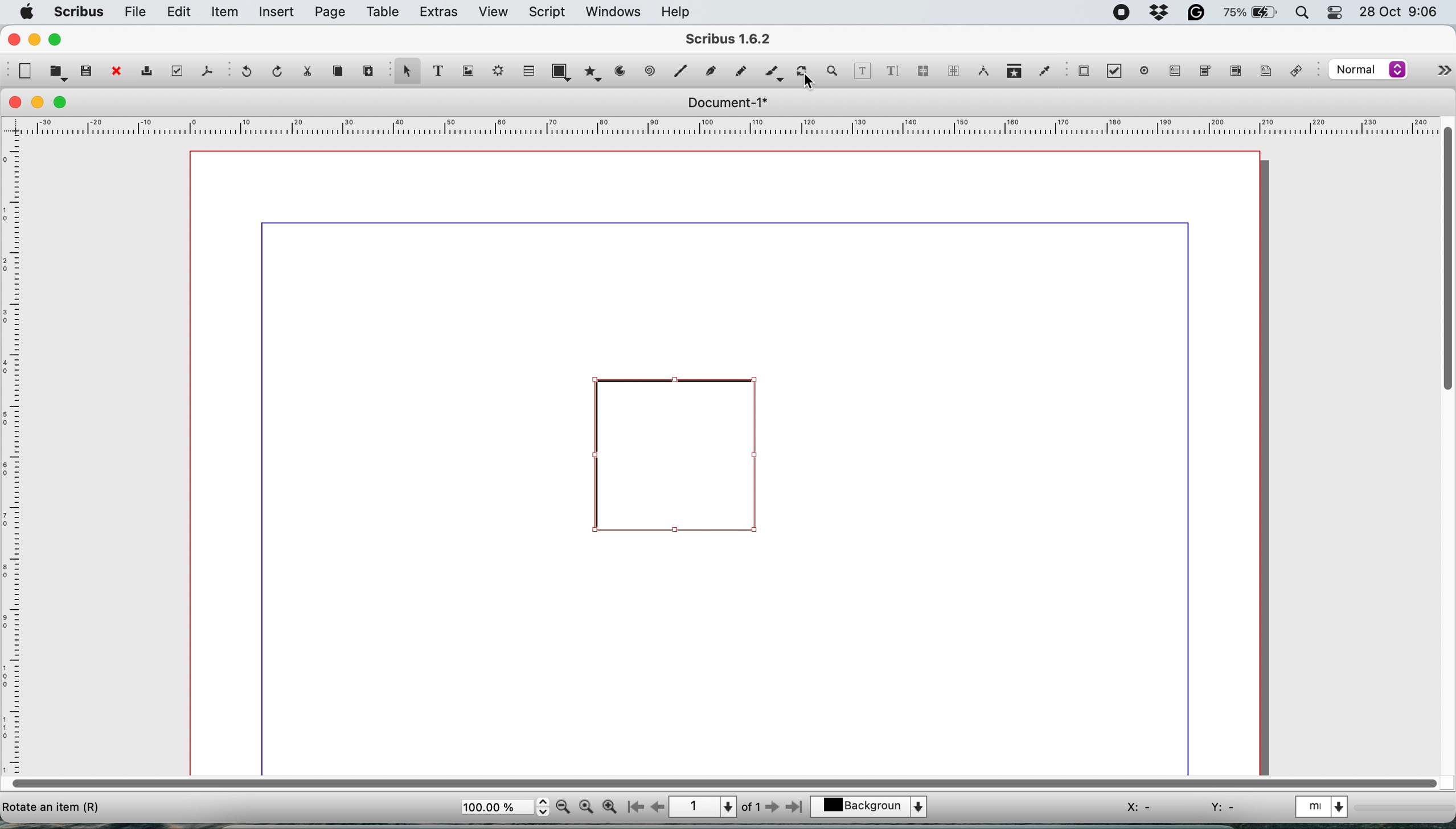 This screenshot has width=1456, height=829. What do you see at coordinates (807, 84) in the screenshot?
I see `cursor` at bounding box center [807, 84].